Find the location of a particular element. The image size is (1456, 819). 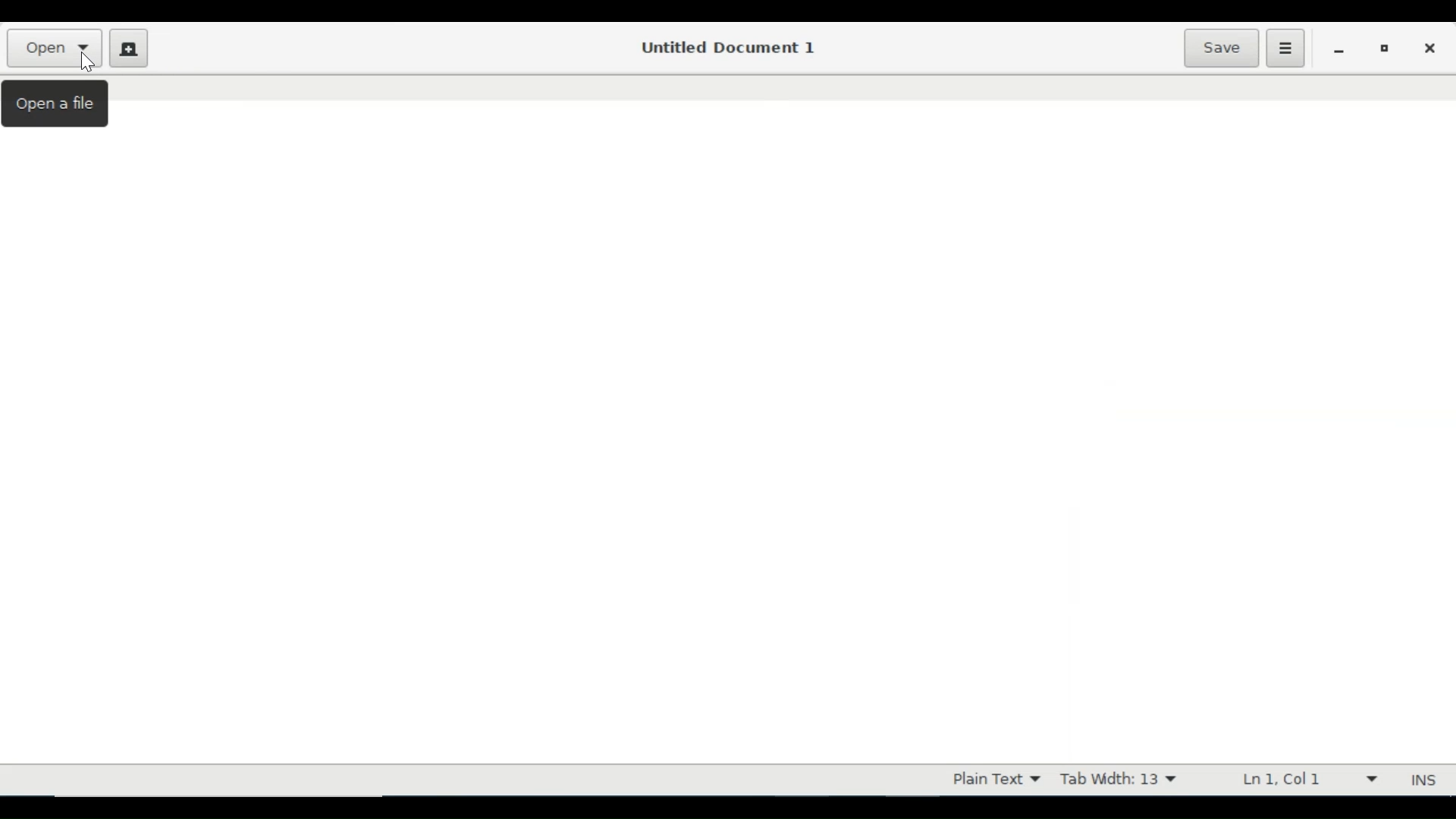

Save is located at coordinates (1221, 48).